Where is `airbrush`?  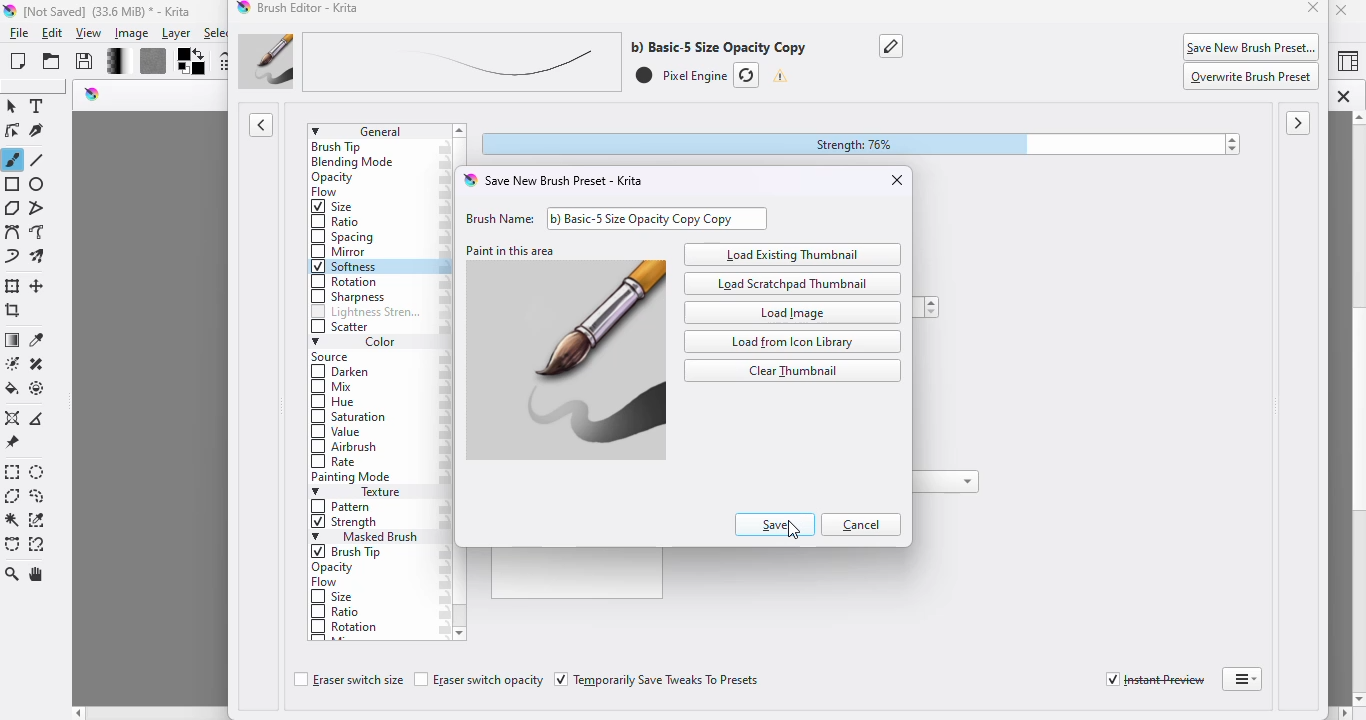
airbrush is located at coordinates (344, 448).